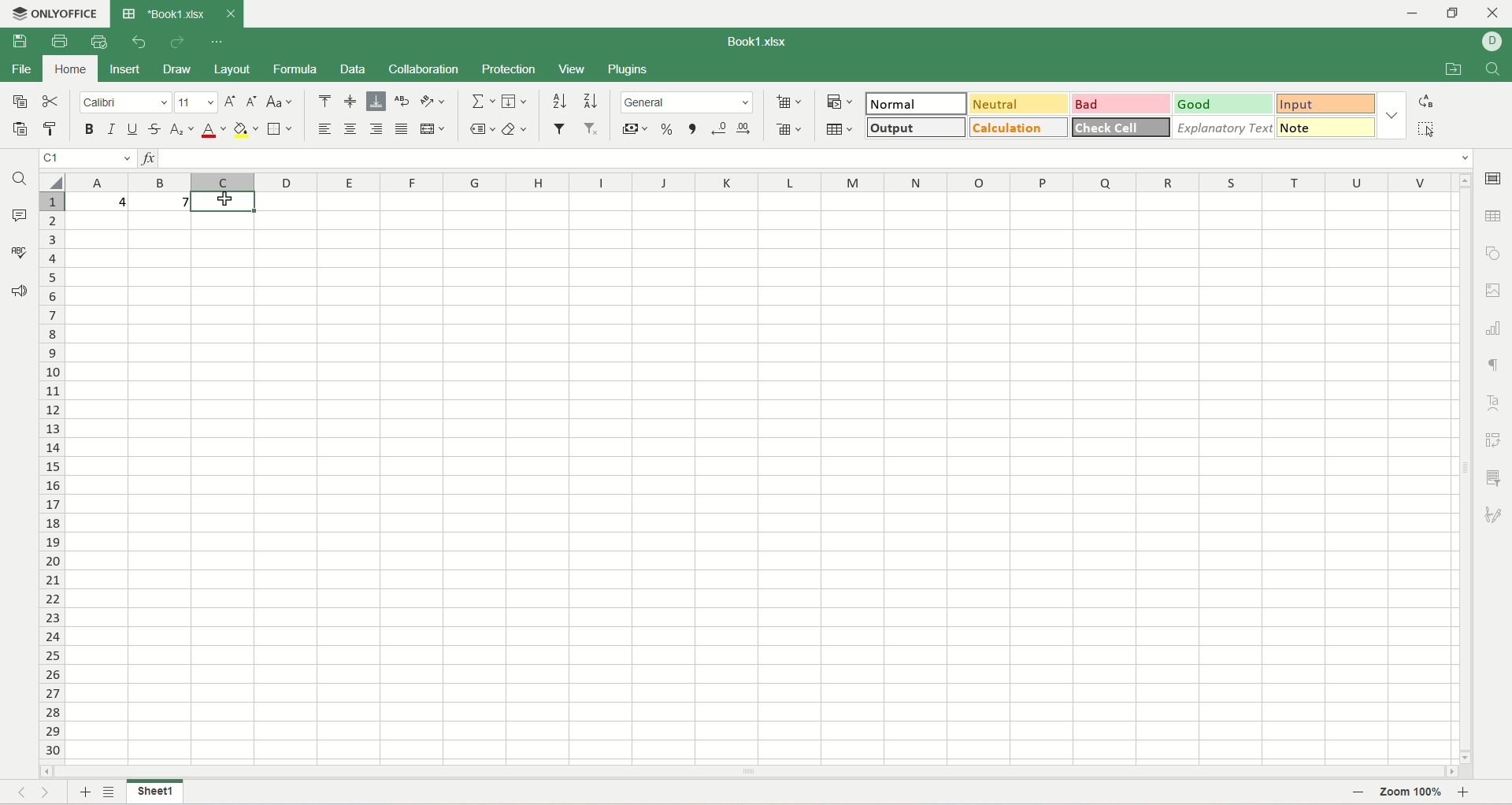  Describe the element at coordinates (82, 792) in the screenshot. I see `add sheet` at that location.